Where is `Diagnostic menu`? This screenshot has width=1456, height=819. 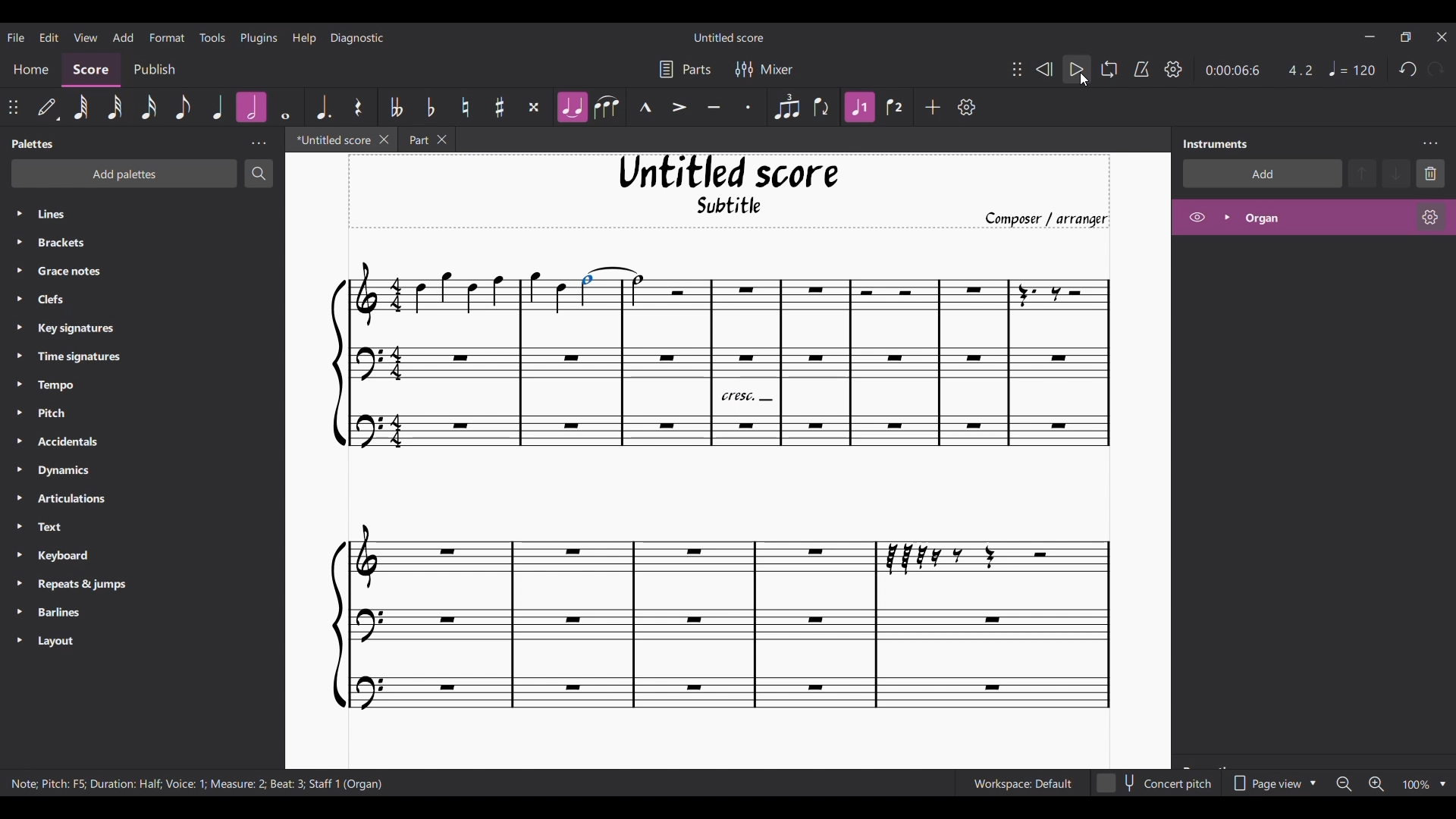 Diagnostic menu is located at coordinates (357, 38).